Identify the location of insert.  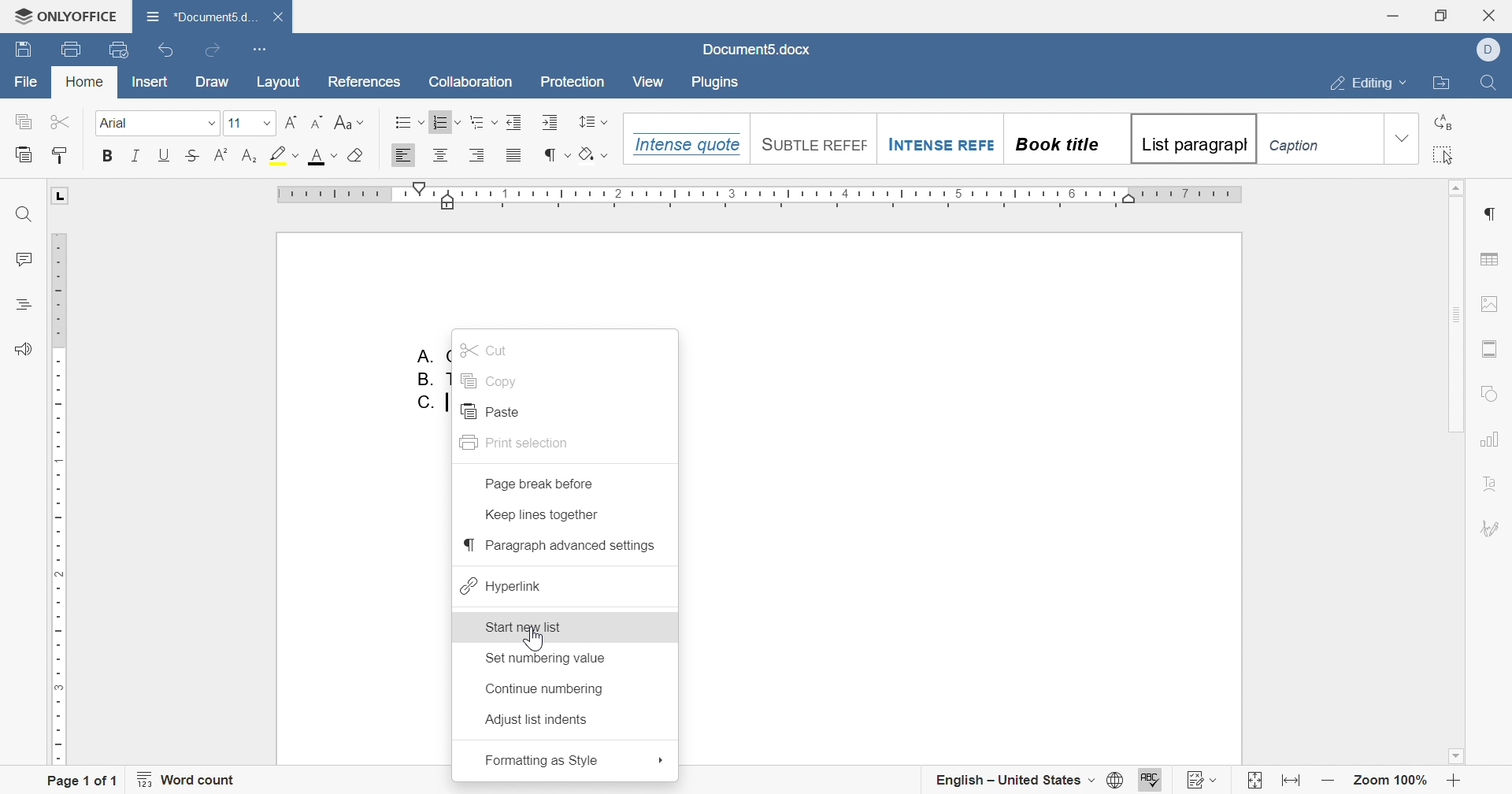
(150, 81).